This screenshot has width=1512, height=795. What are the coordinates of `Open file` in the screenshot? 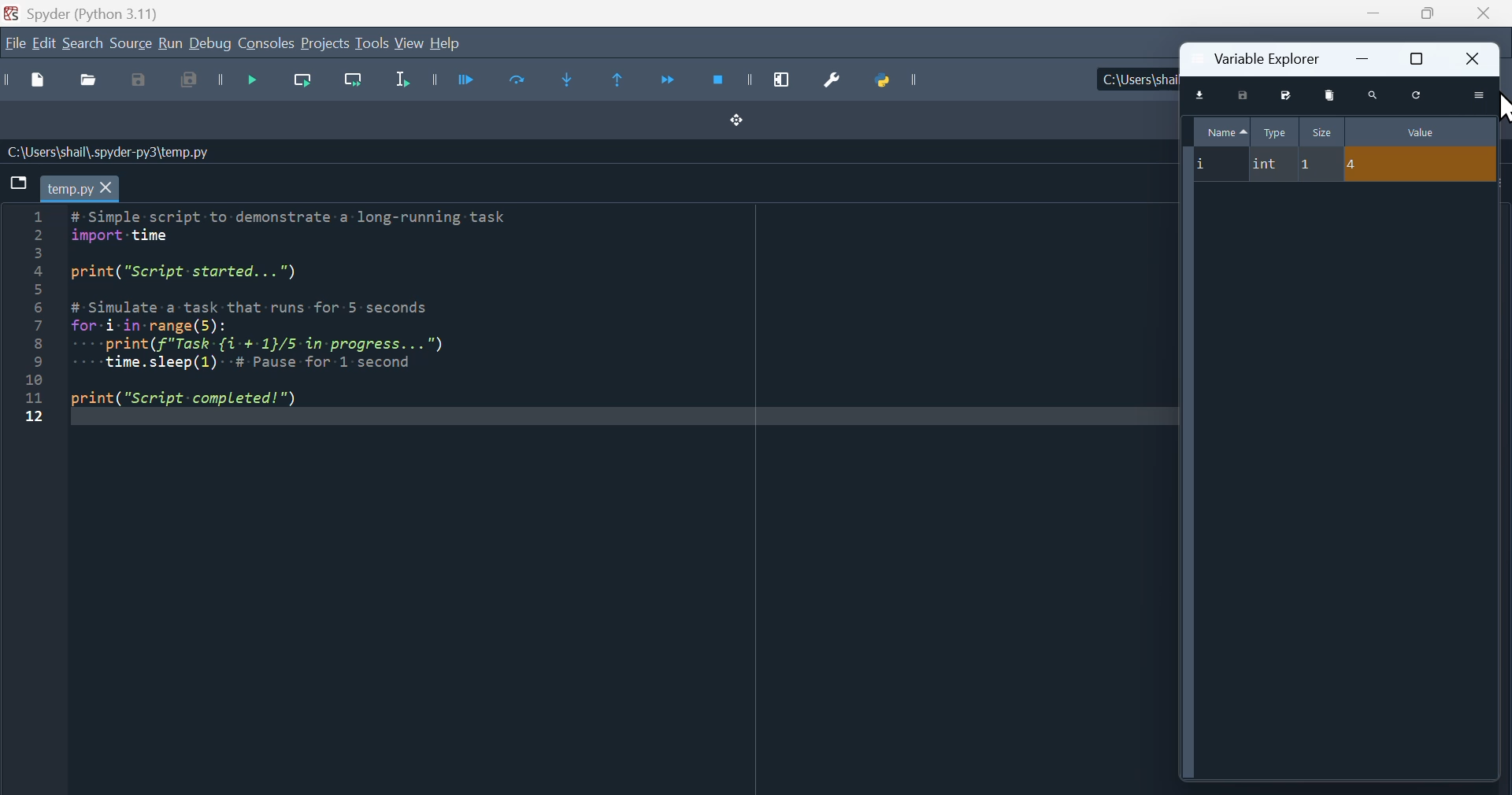 It's located at (87, 82).